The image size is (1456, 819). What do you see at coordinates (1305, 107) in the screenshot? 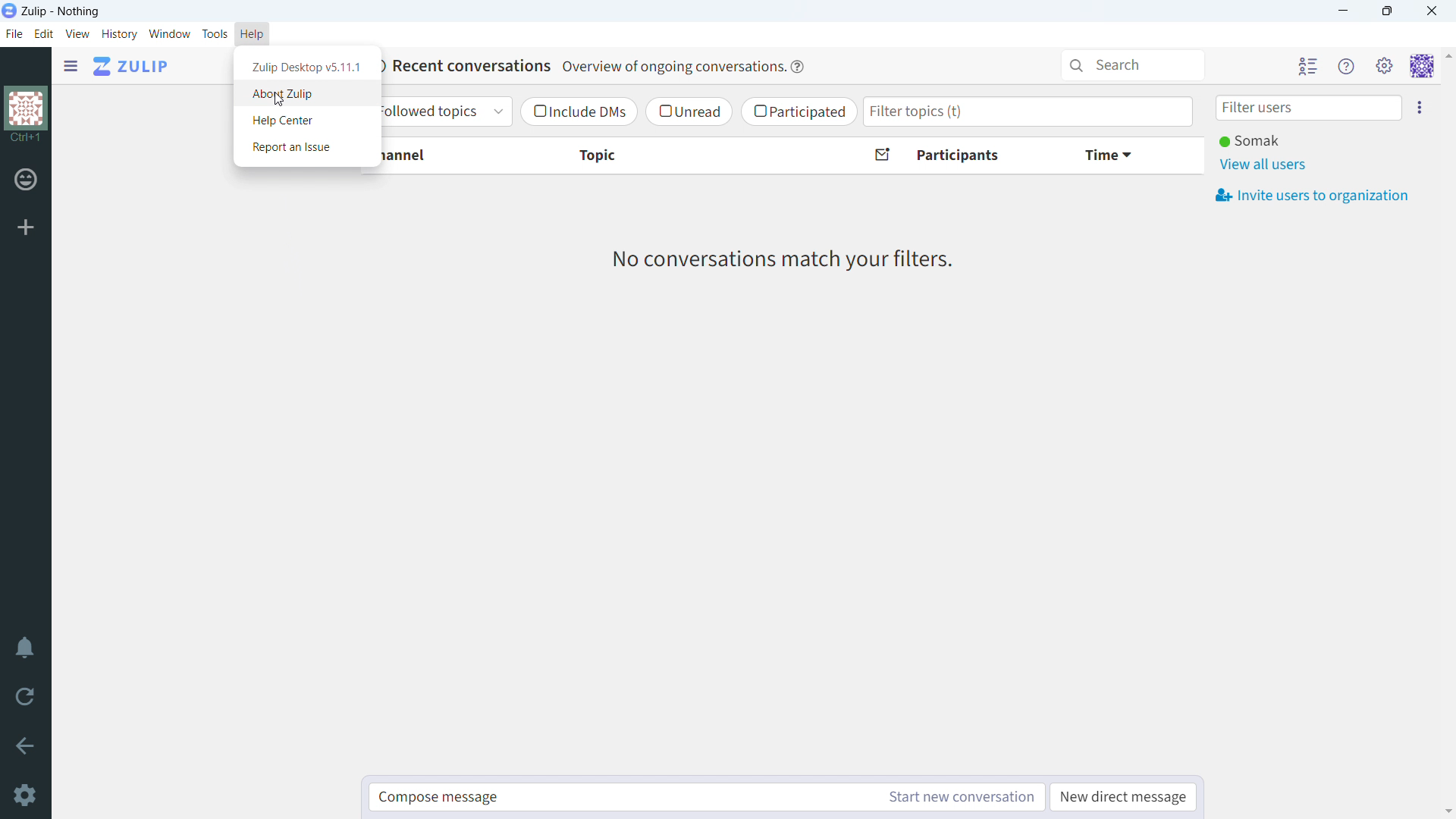
I see `filter users` at bounding box center [1305, 107].